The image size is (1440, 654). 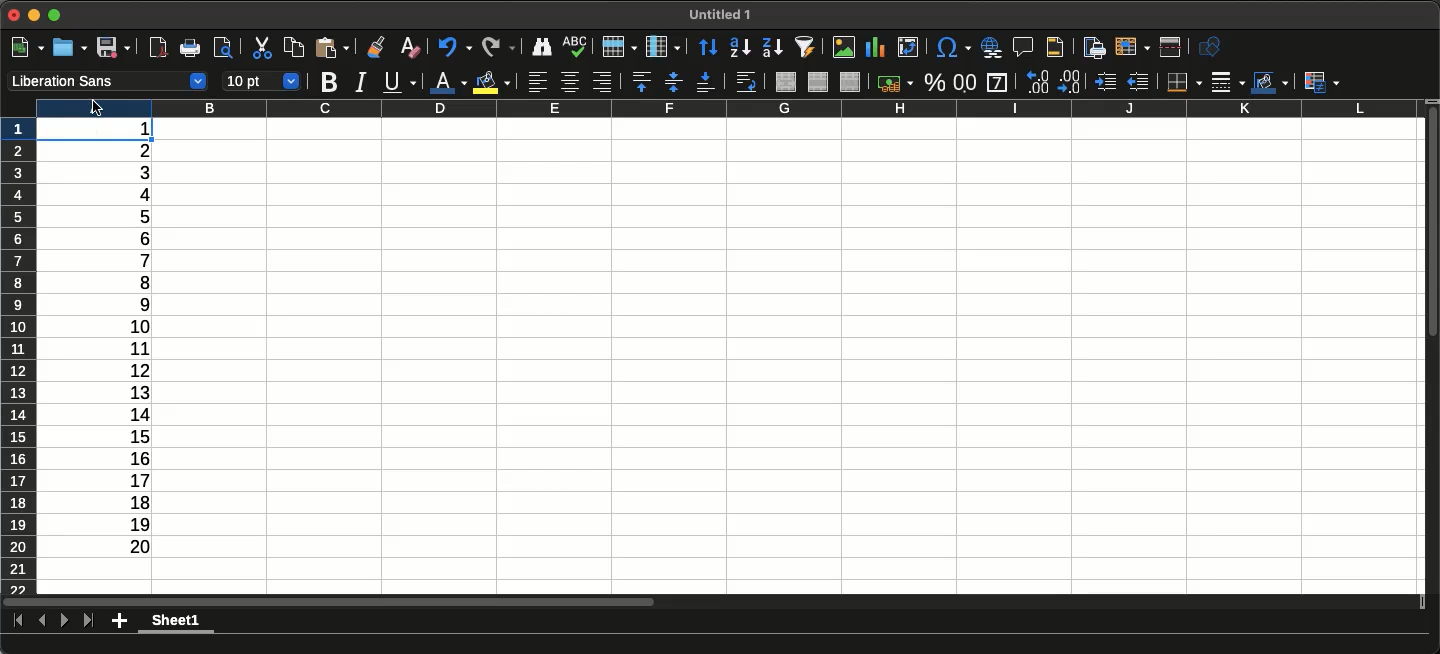 I want to click on 13, so click(x=128, y=391).